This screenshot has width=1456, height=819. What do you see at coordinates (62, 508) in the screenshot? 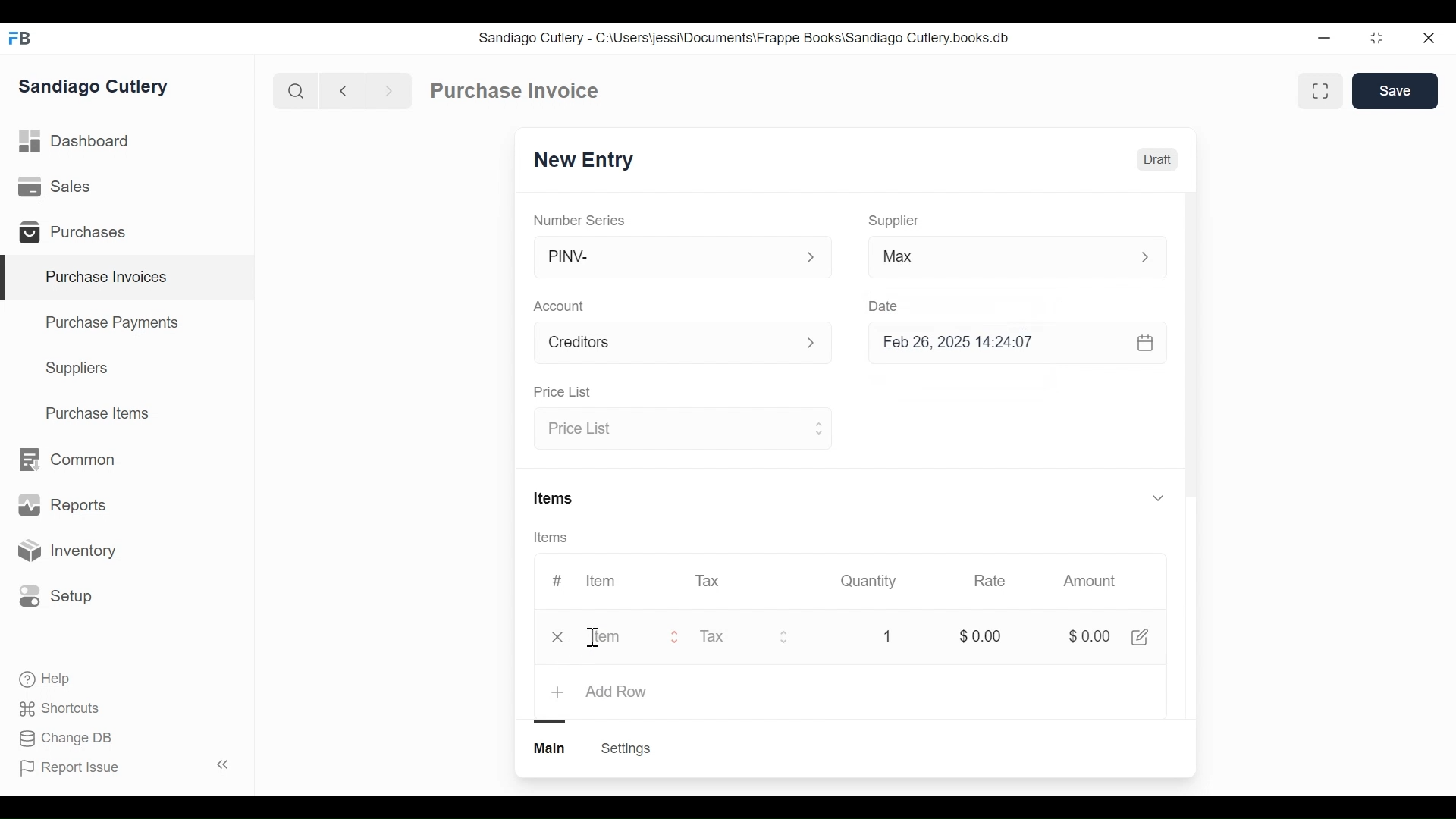
I see `Reports` at bounding box center [62, 508].